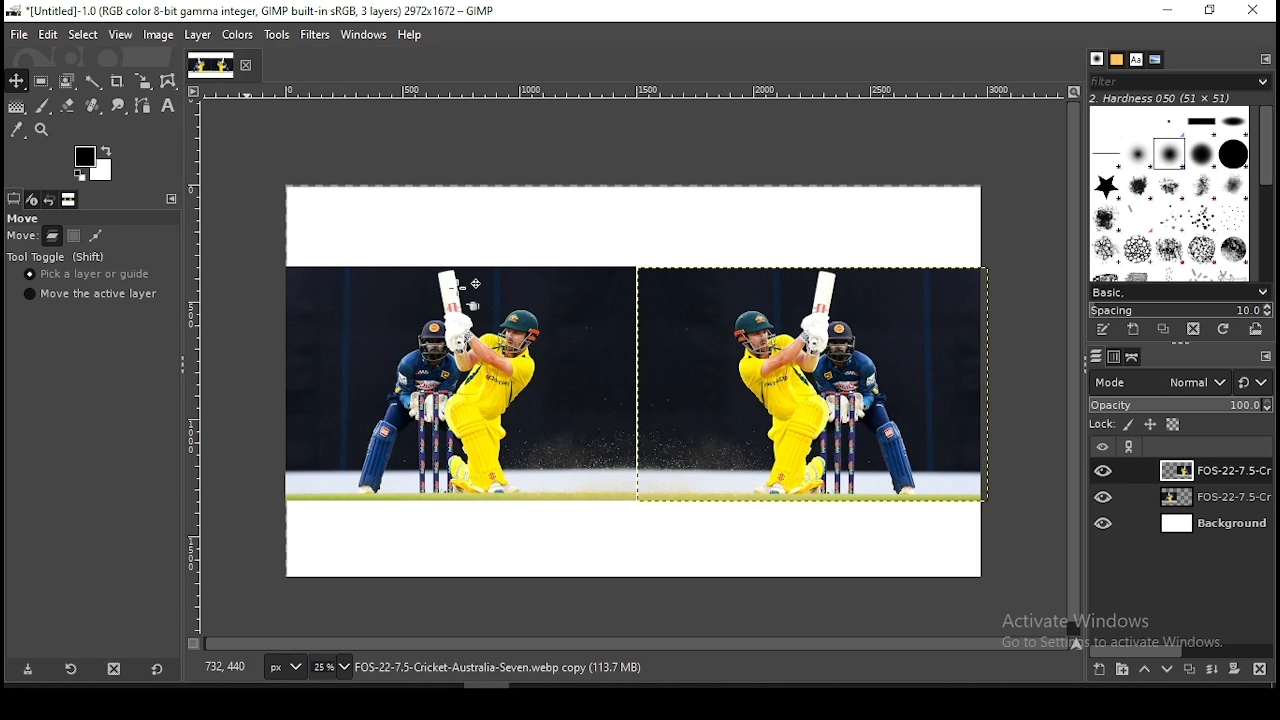 The height and width of the screenshot is (720, 1280). I want to click on move, so click(22, 238).